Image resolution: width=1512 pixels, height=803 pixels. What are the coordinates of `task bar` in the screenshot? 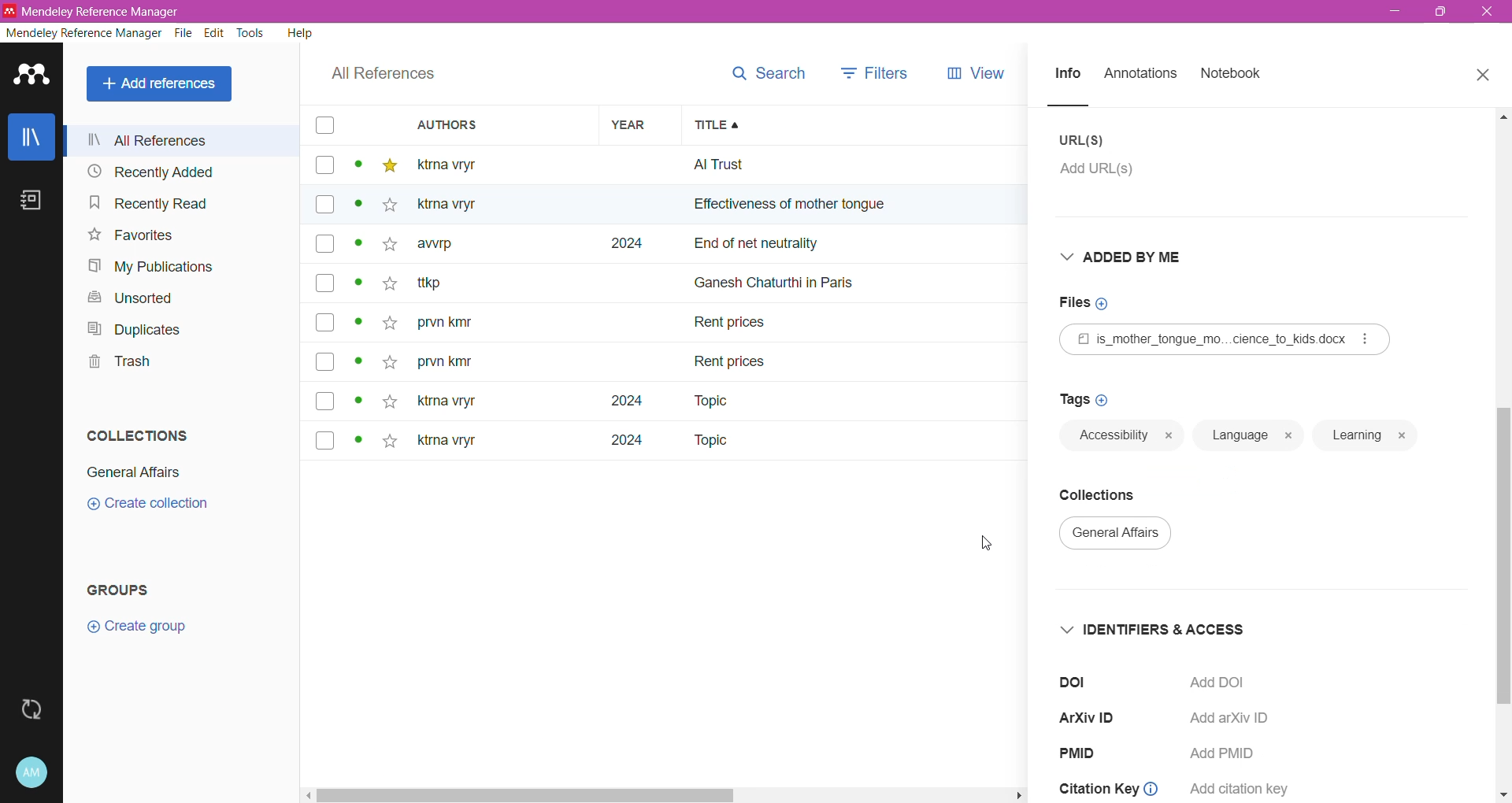 It's located at (660, 794).